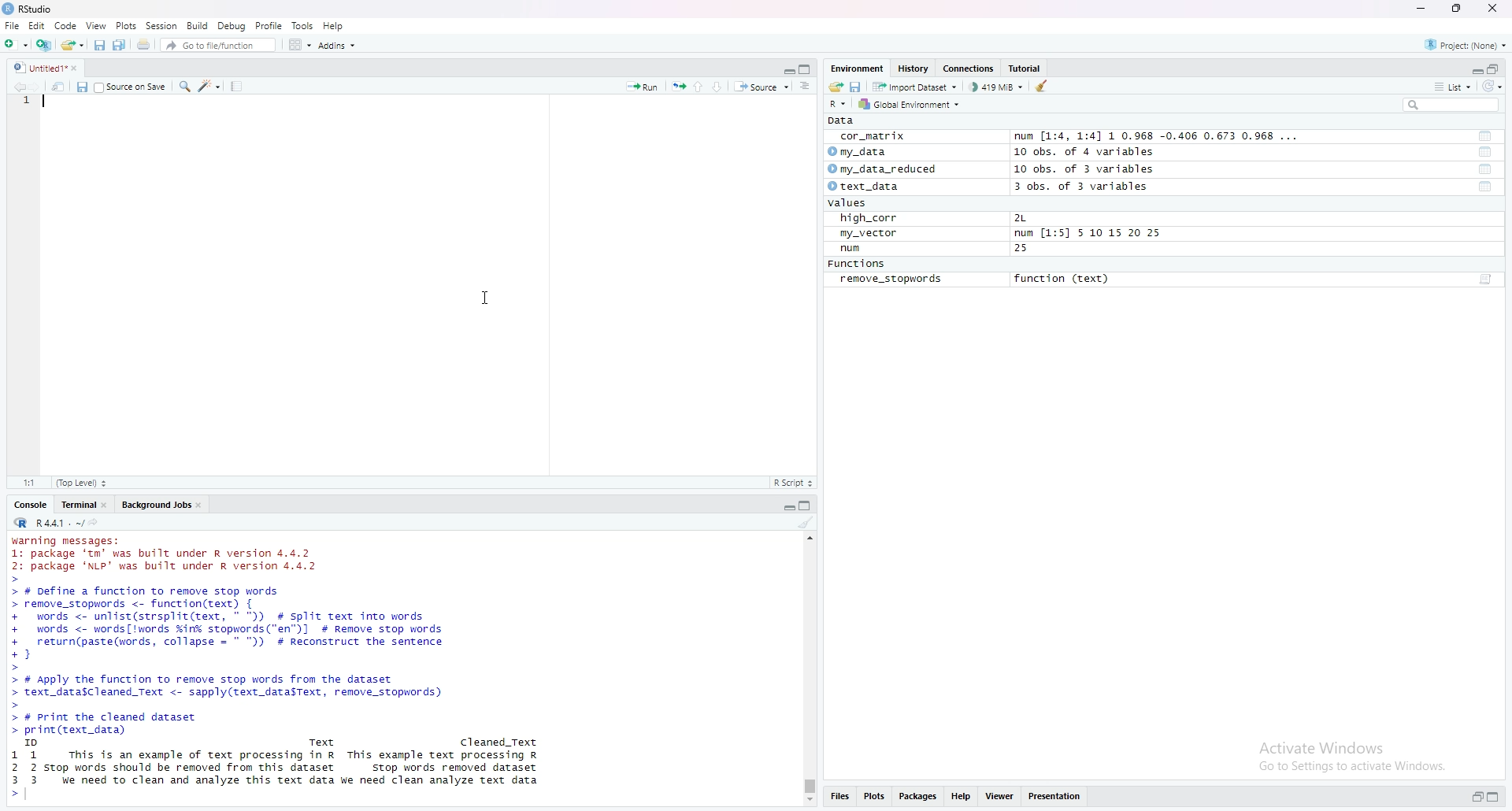 This screenshot has width=1512, height=811. What do you see at coordinates (298, 44) in the screenshot?
I see `workspace pane` at bounding box center [298, 44].